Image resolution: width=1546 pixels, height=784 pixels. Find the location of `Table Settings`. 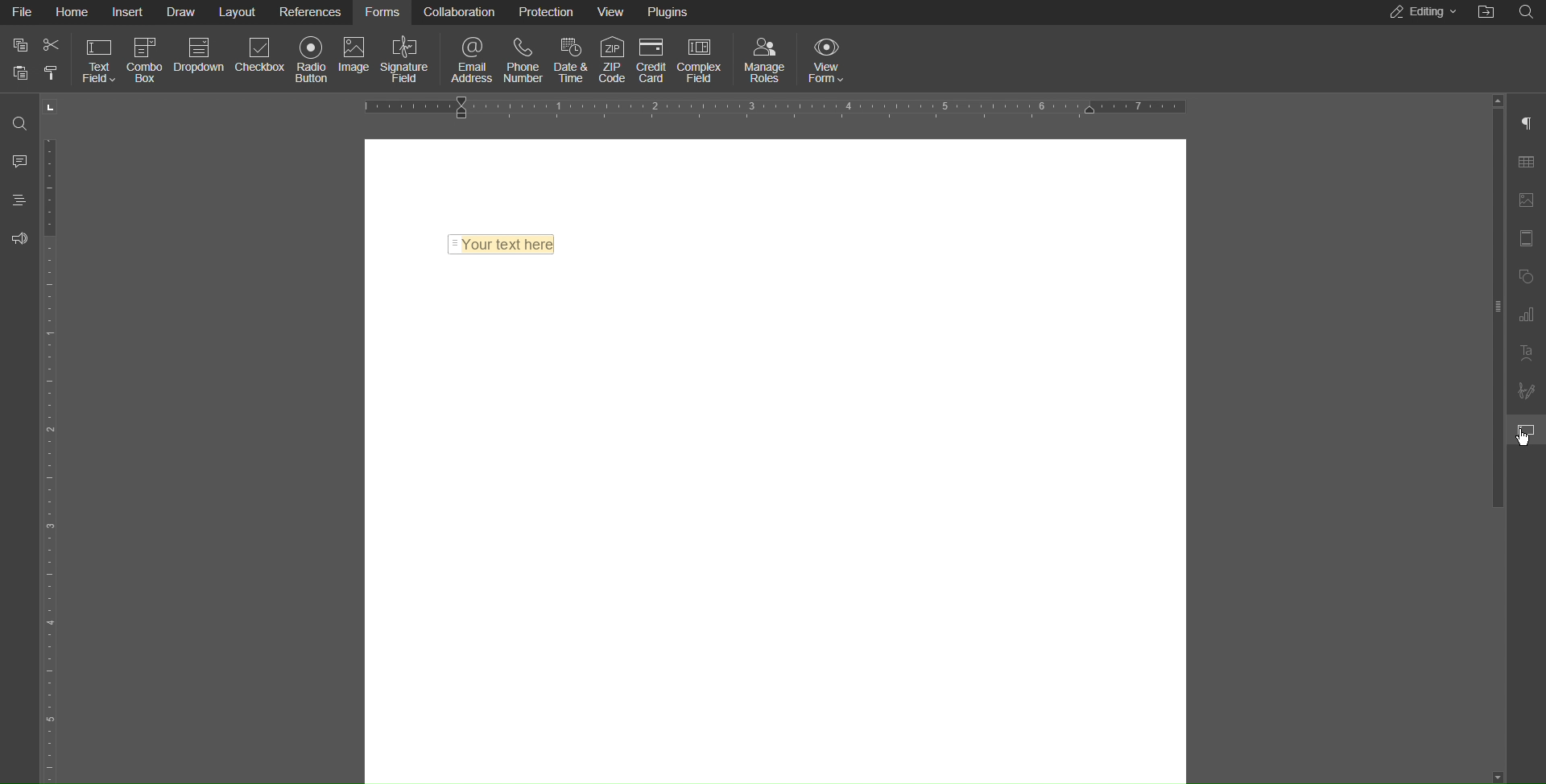

Table Settings is located at coordinates (1531, 163).